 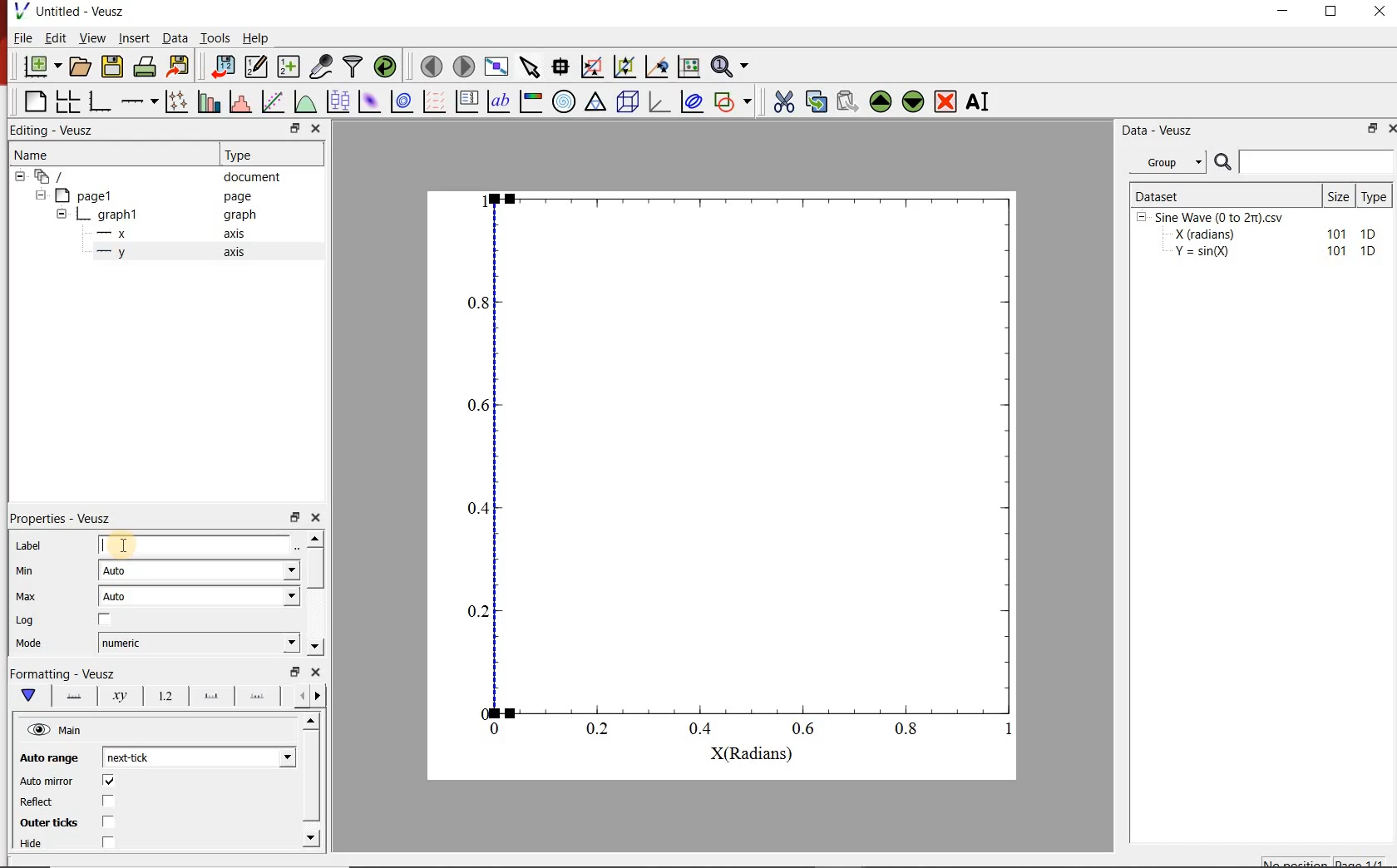 What do you see at coordinates (295, 672) in the screenshot?
I see `Min/Max` at bounding box center [295, 672].